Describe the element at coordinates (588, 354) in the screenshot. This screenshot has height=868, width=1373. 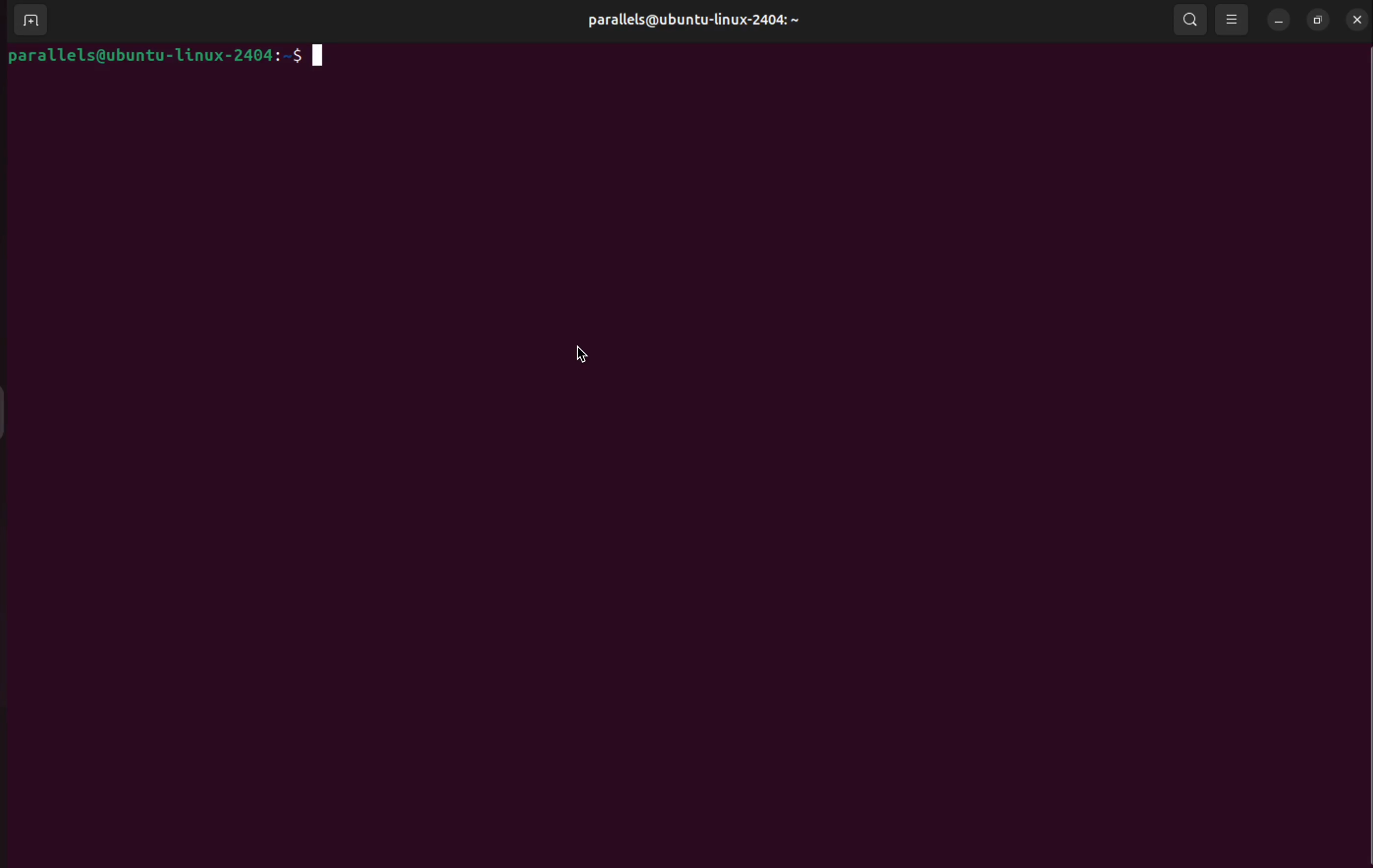
I see `cursor` at that location.